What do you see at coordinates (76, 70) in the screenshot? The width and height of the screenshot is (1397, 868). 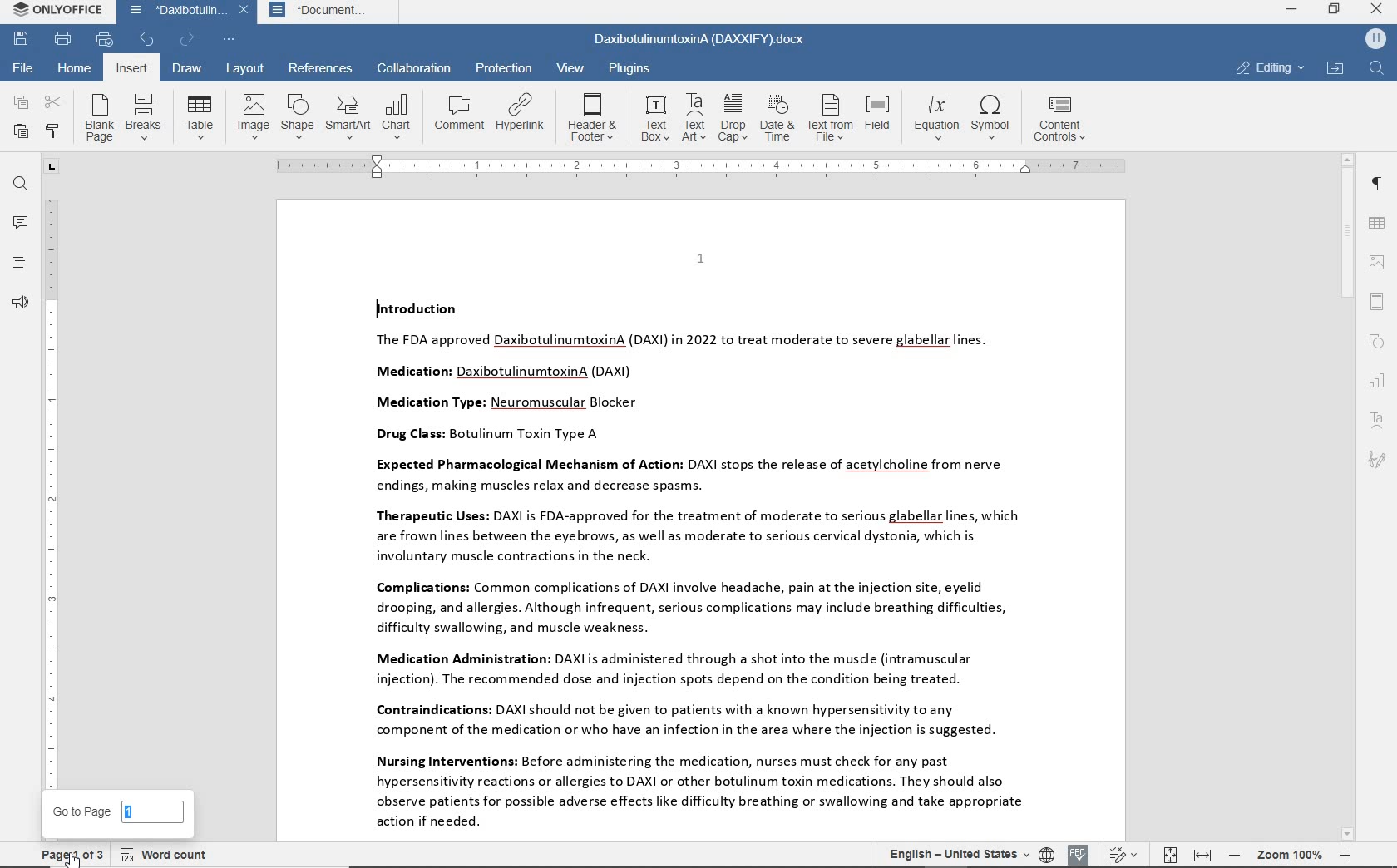 I see `home` at bounding box center [76, 70].